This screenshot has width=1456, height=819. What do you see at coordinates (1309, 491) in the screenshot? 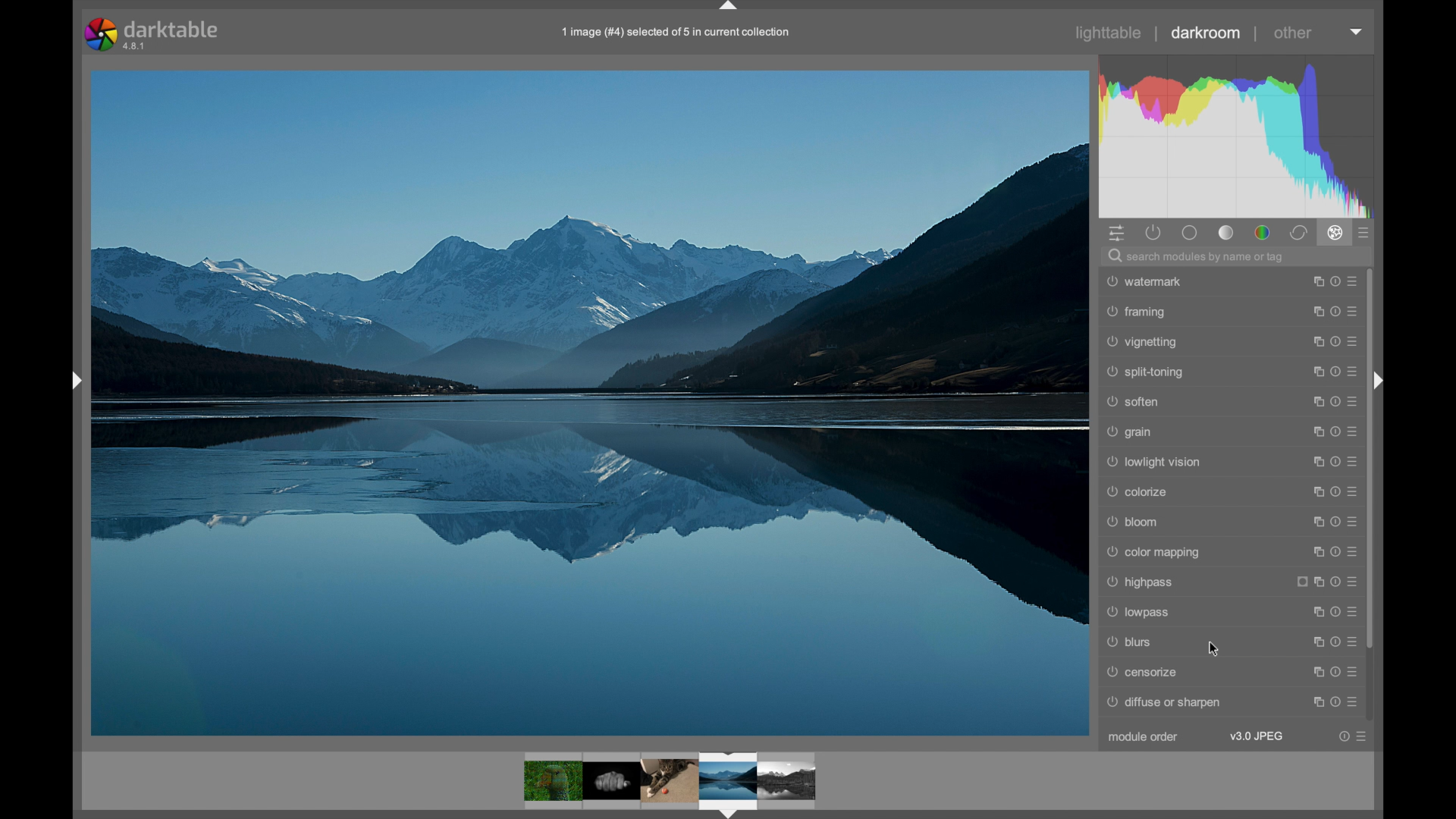
I see `maximize` at bounding box center [1309, 491].